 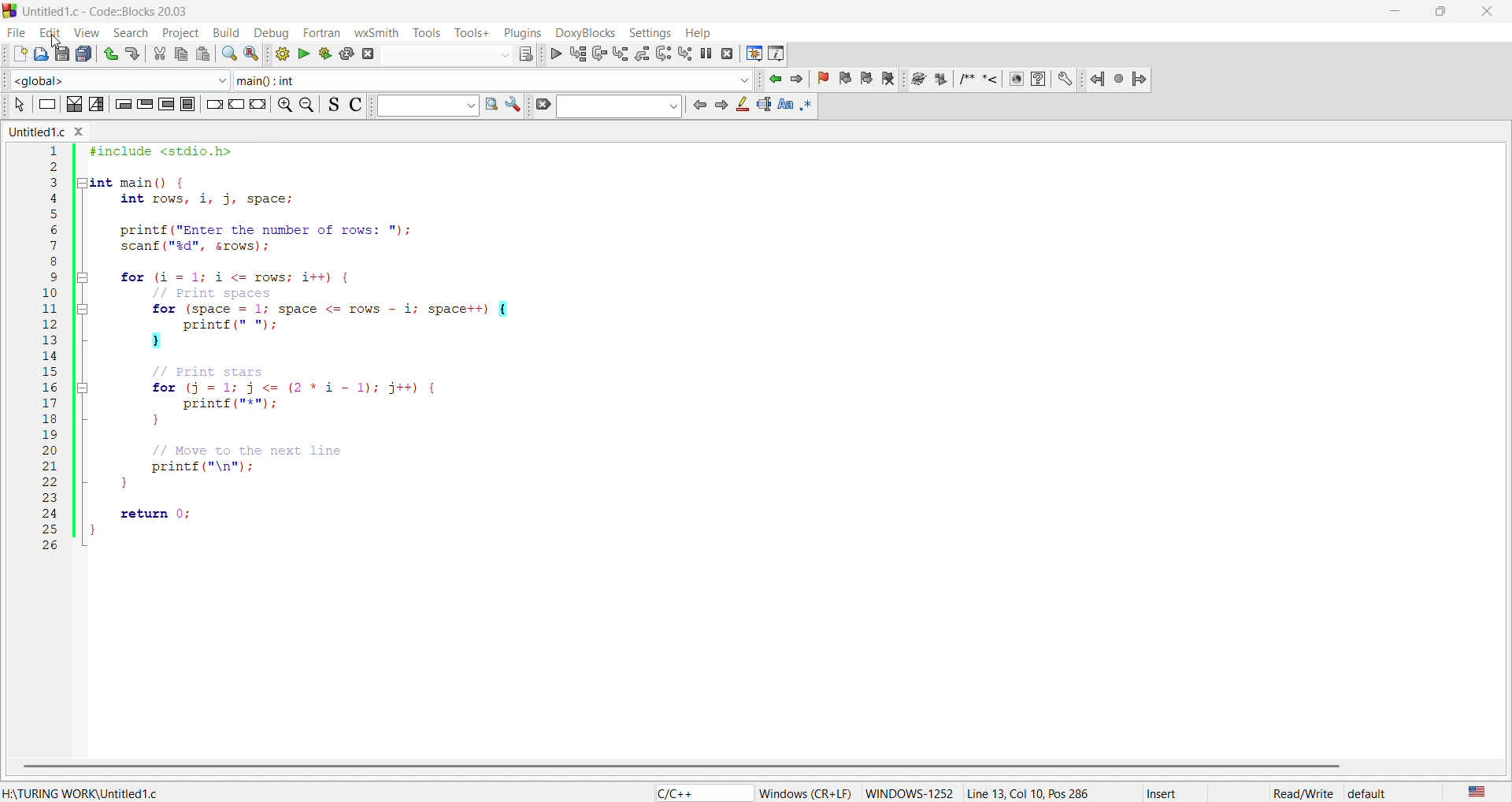 What do you see at coordinates (702, 793) in the screenshot?
I see `C/C++` at bounding box center [702, 793].